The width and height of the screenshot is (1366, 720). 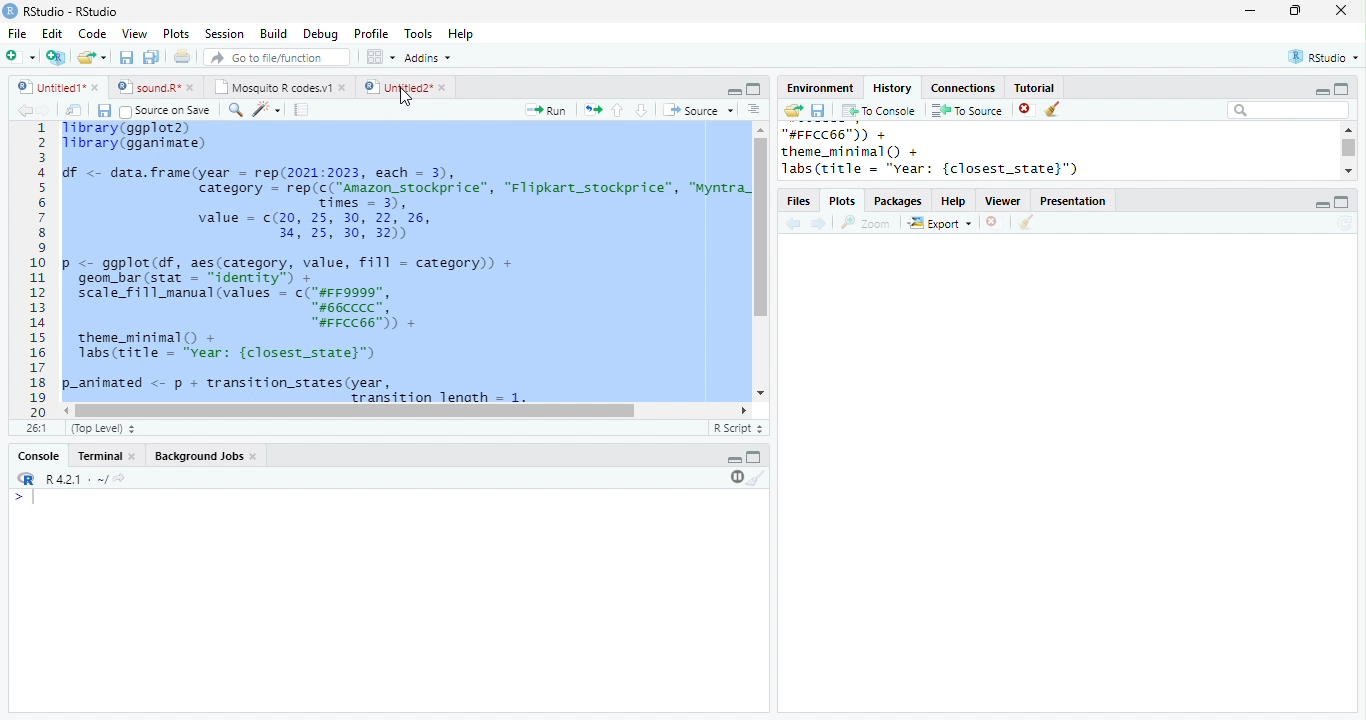 What do you see at coordinates (822, 89) in the screenshot?
I see `Environment` at bounding box center [822, 89].